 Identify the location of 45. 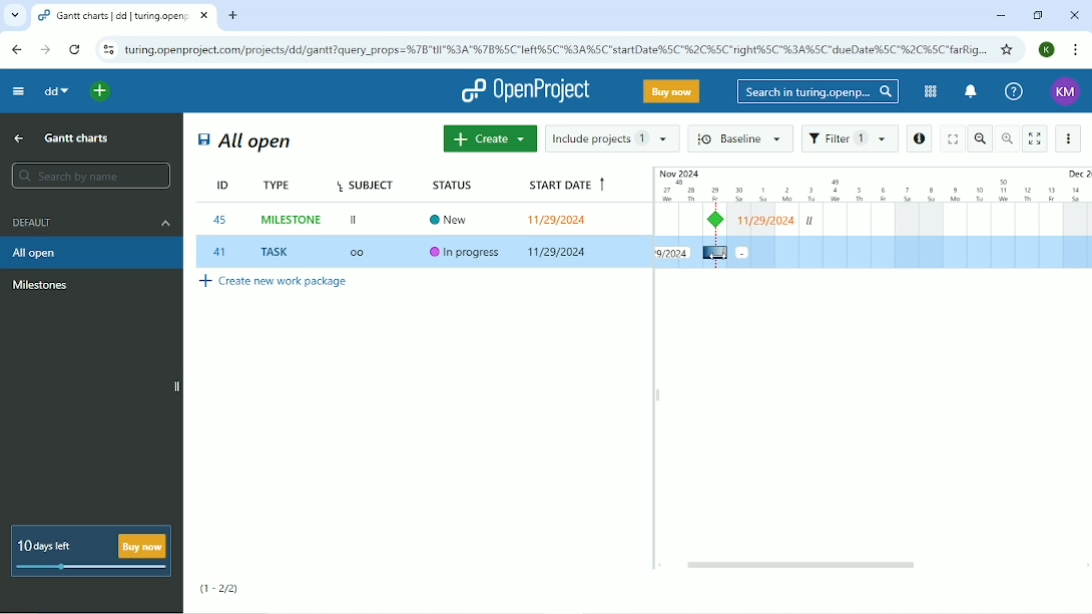
(221, 220).